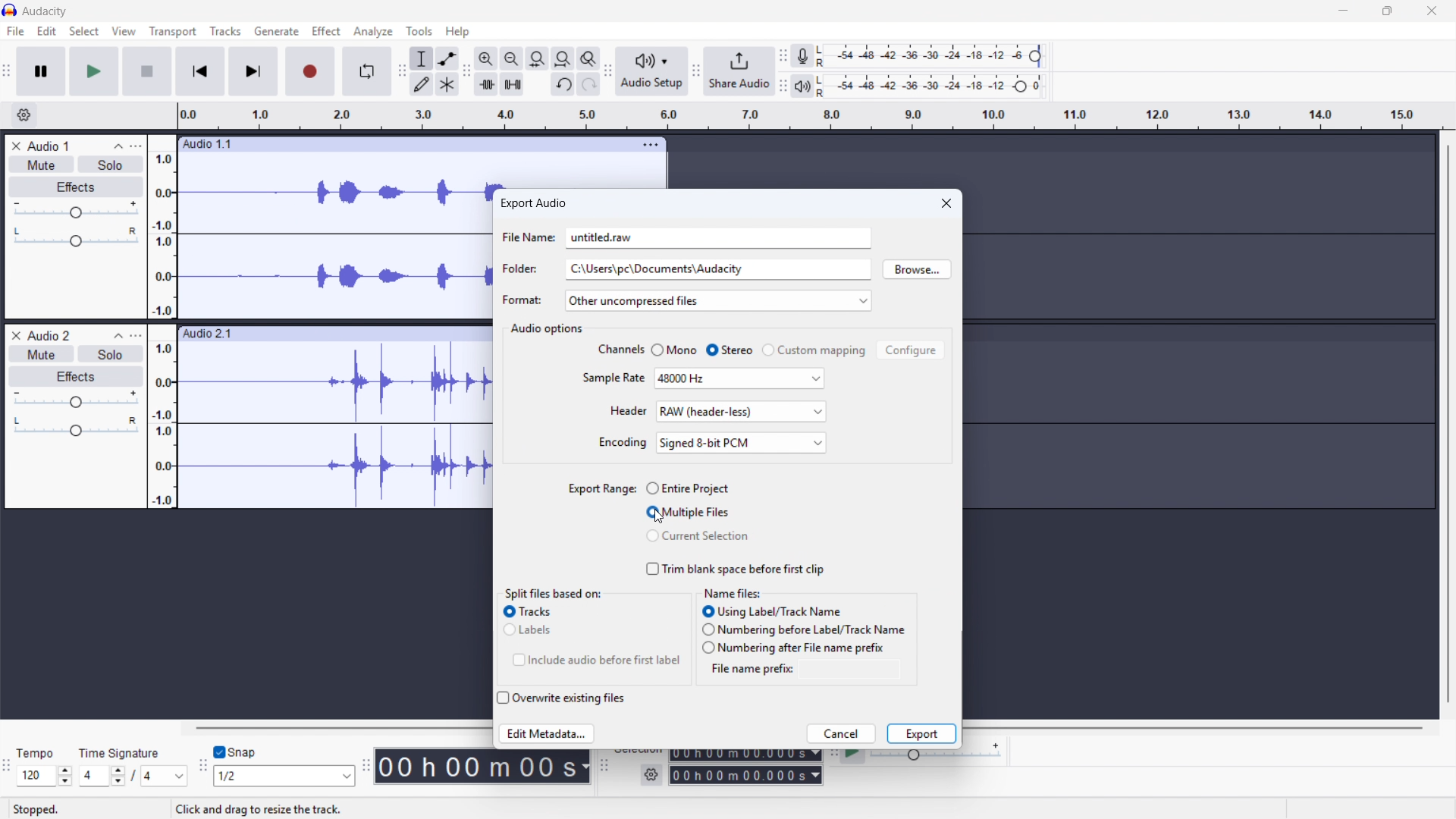  What do you see at coordinates (934, 86) in the screenshot?
I see `Recording level` at bounding box center [934, 86].